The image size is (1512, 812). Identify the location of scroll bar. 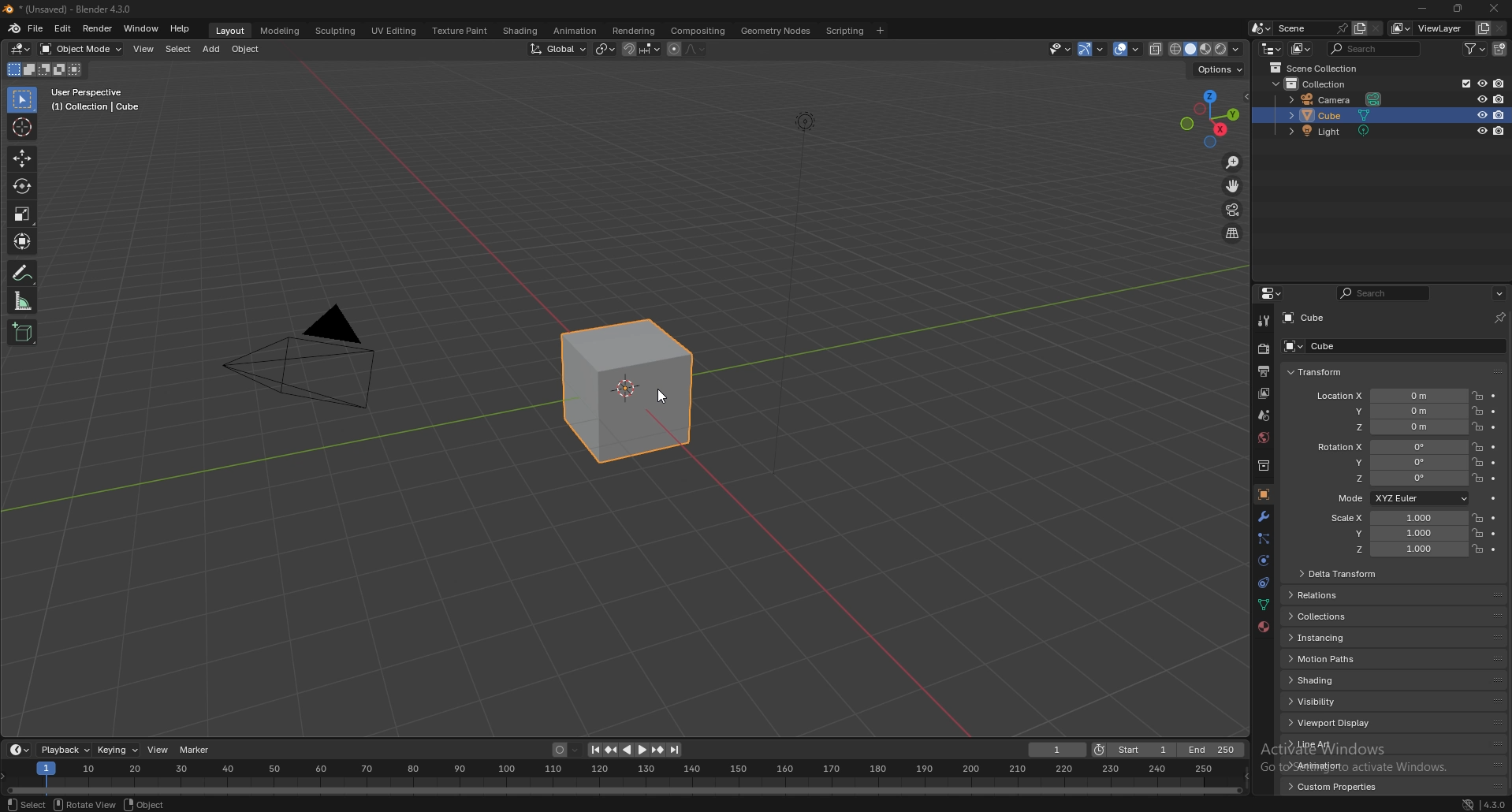
(1511, 557).